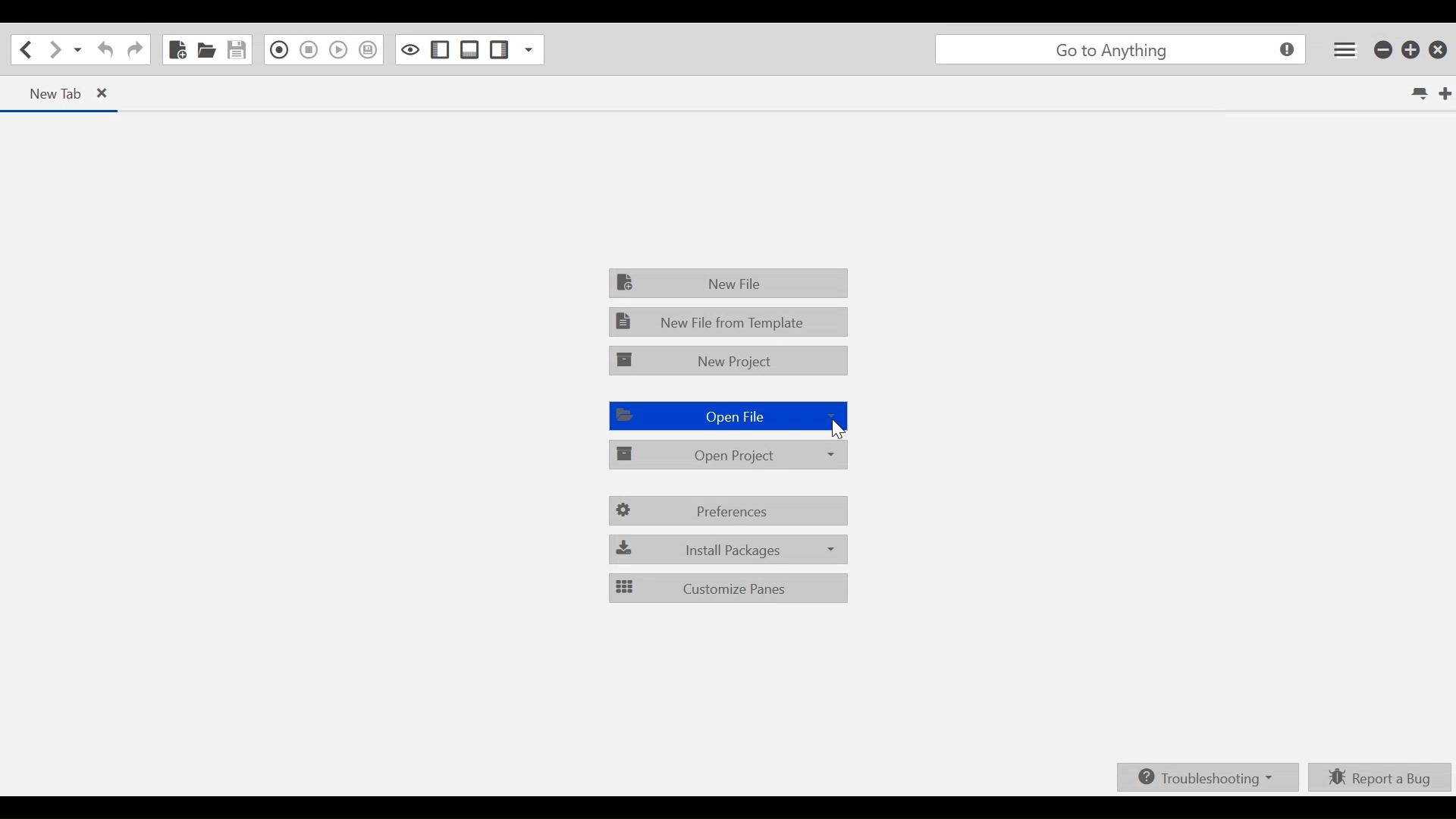 This screenshot has height=819, width=1456. I want to click on minimize, so click(1380, 50).